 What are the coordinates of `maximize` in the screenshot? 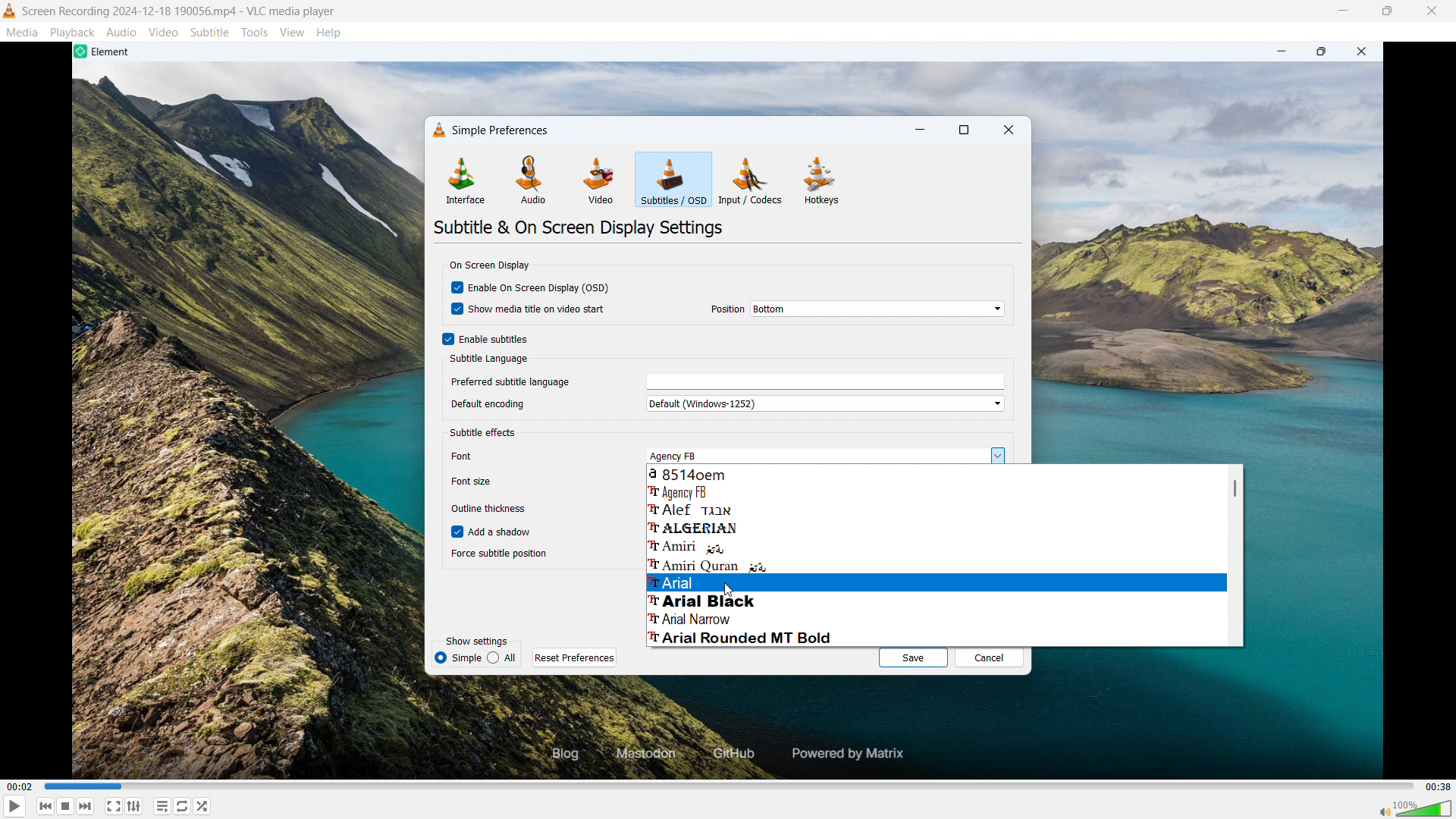 It's located at (1386, 11).